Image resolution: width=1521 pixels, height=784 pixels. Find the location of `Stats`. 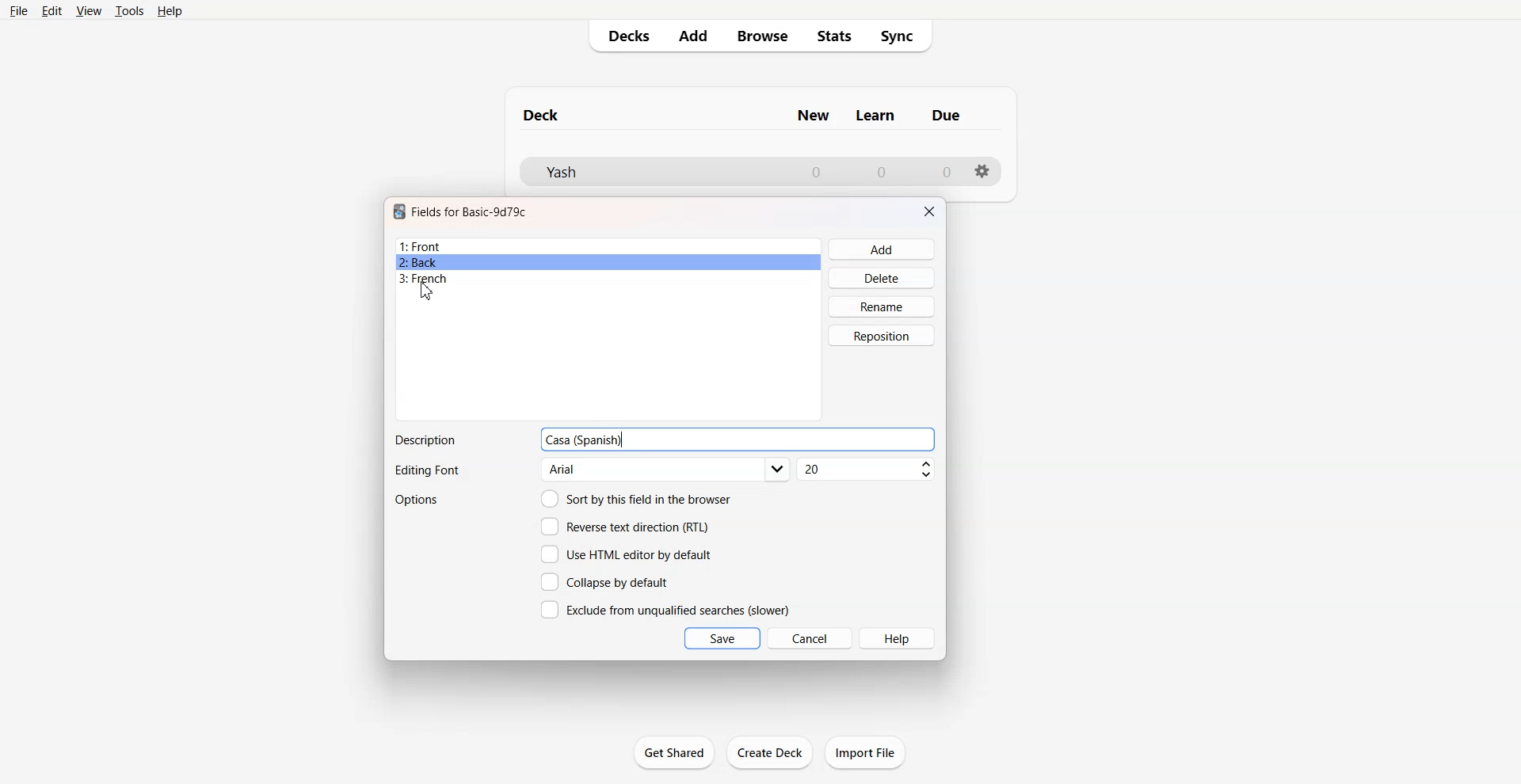

Stats is located at coordinates (835, 36).